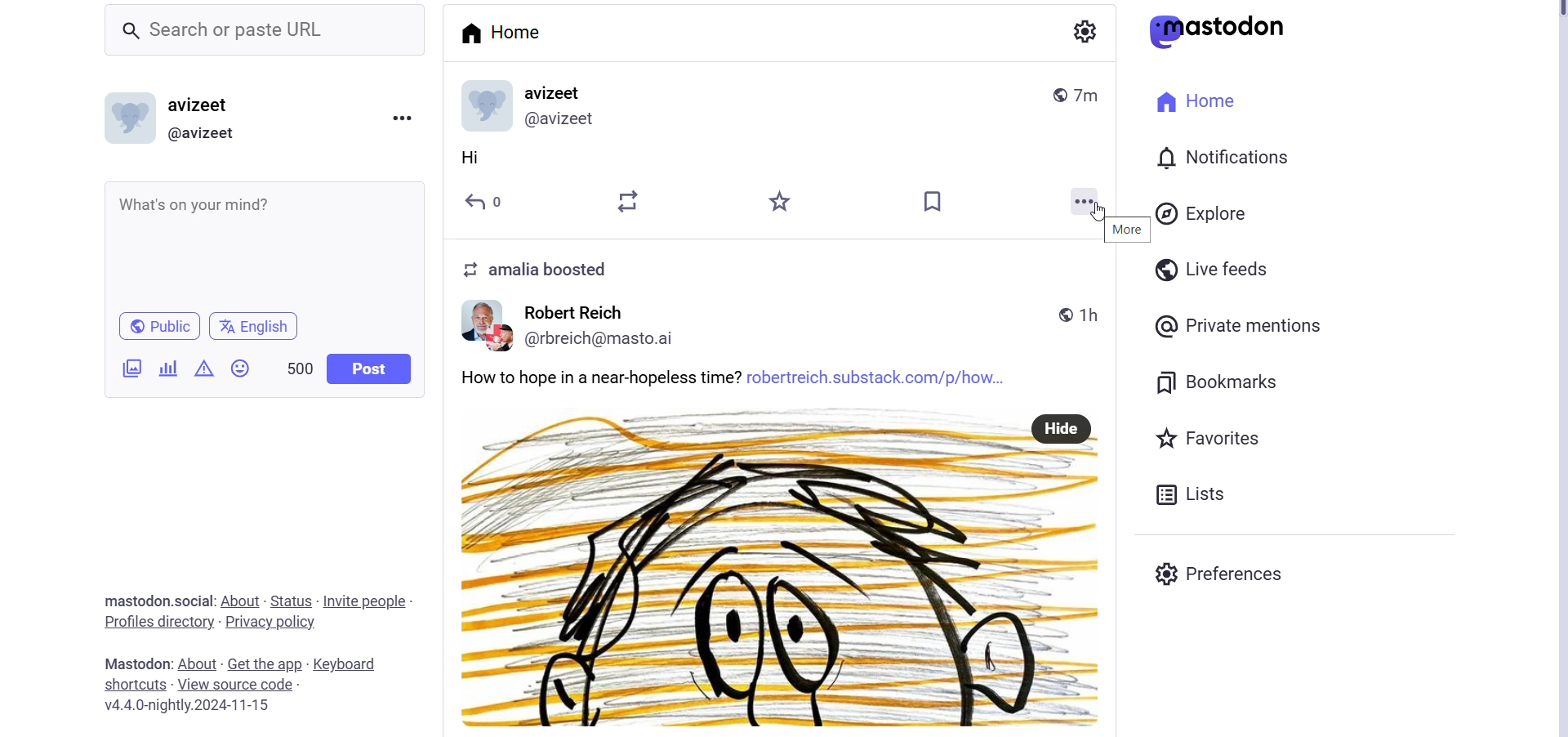 Image resolution: width=1568 pixels, height=737 pixels. Describe the element at coordinates (158, 601) in the screenshot. I see `Text` at that location.